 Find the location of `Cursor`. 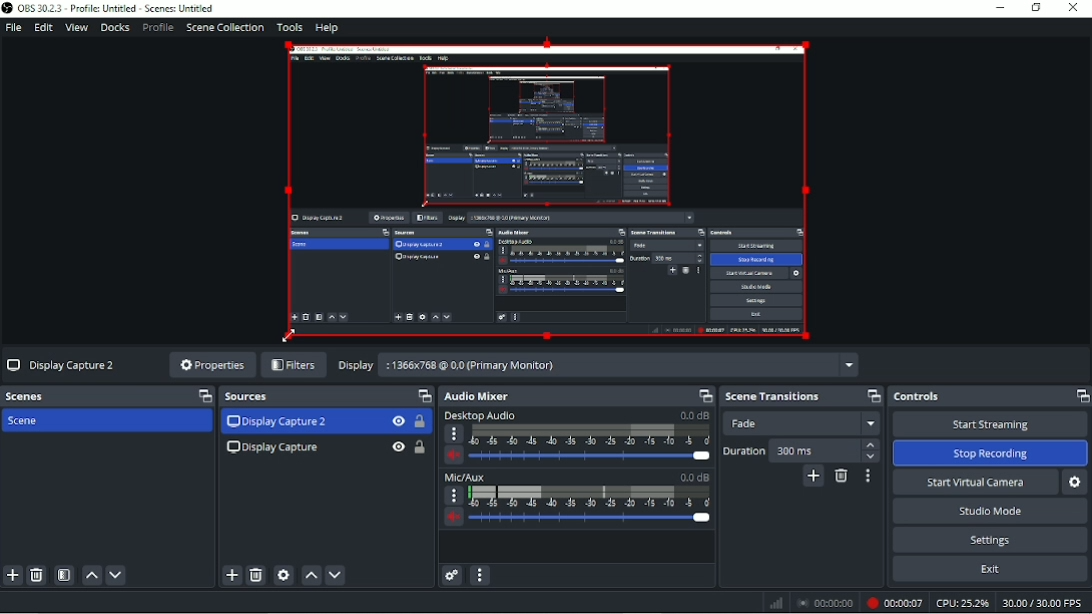

Cursor is located at coordinates (287, 335).